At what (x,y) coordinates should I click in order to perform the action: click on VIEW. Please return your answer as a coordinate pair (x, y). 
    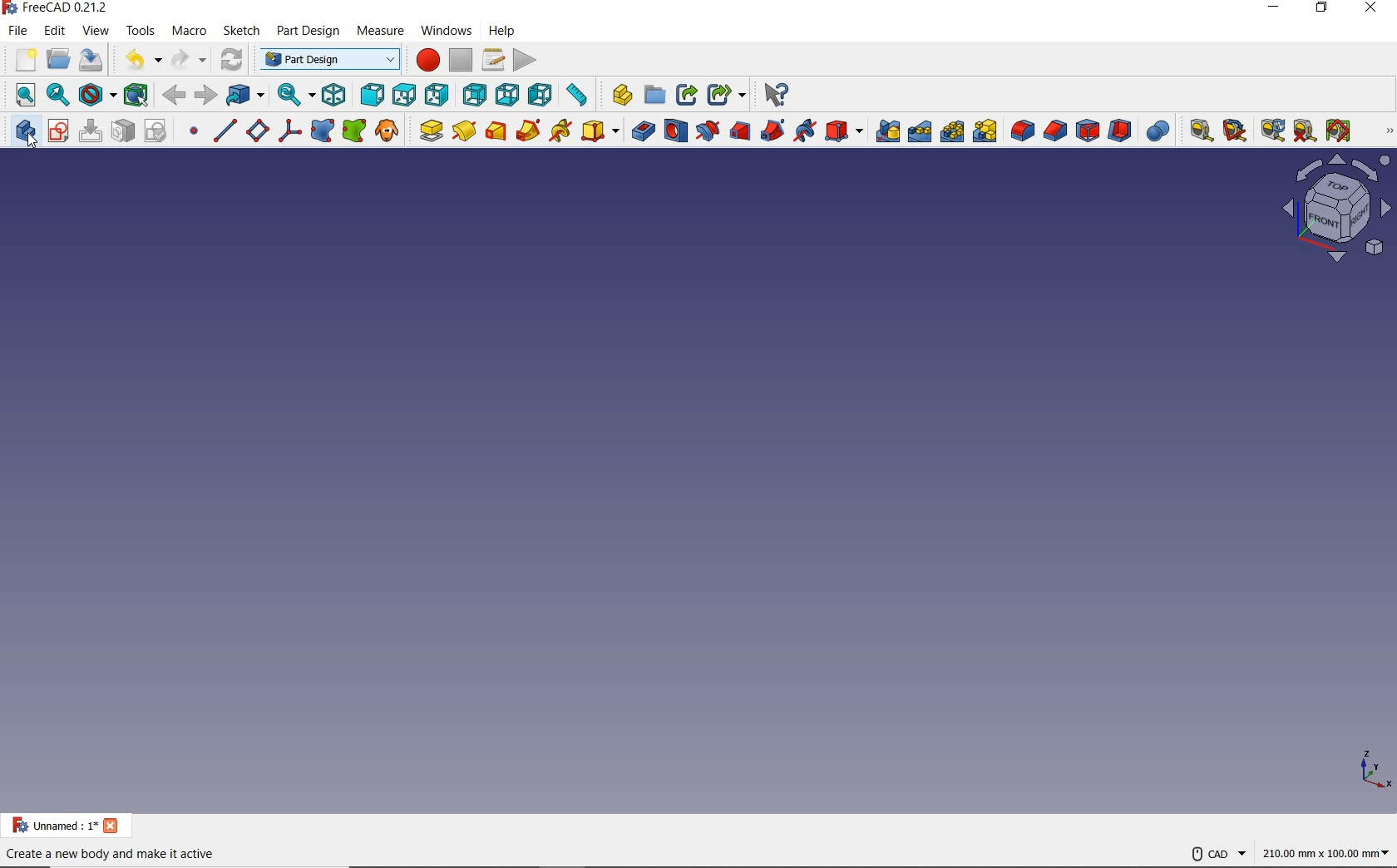
    Looking at the image, I should click on (97, 31).